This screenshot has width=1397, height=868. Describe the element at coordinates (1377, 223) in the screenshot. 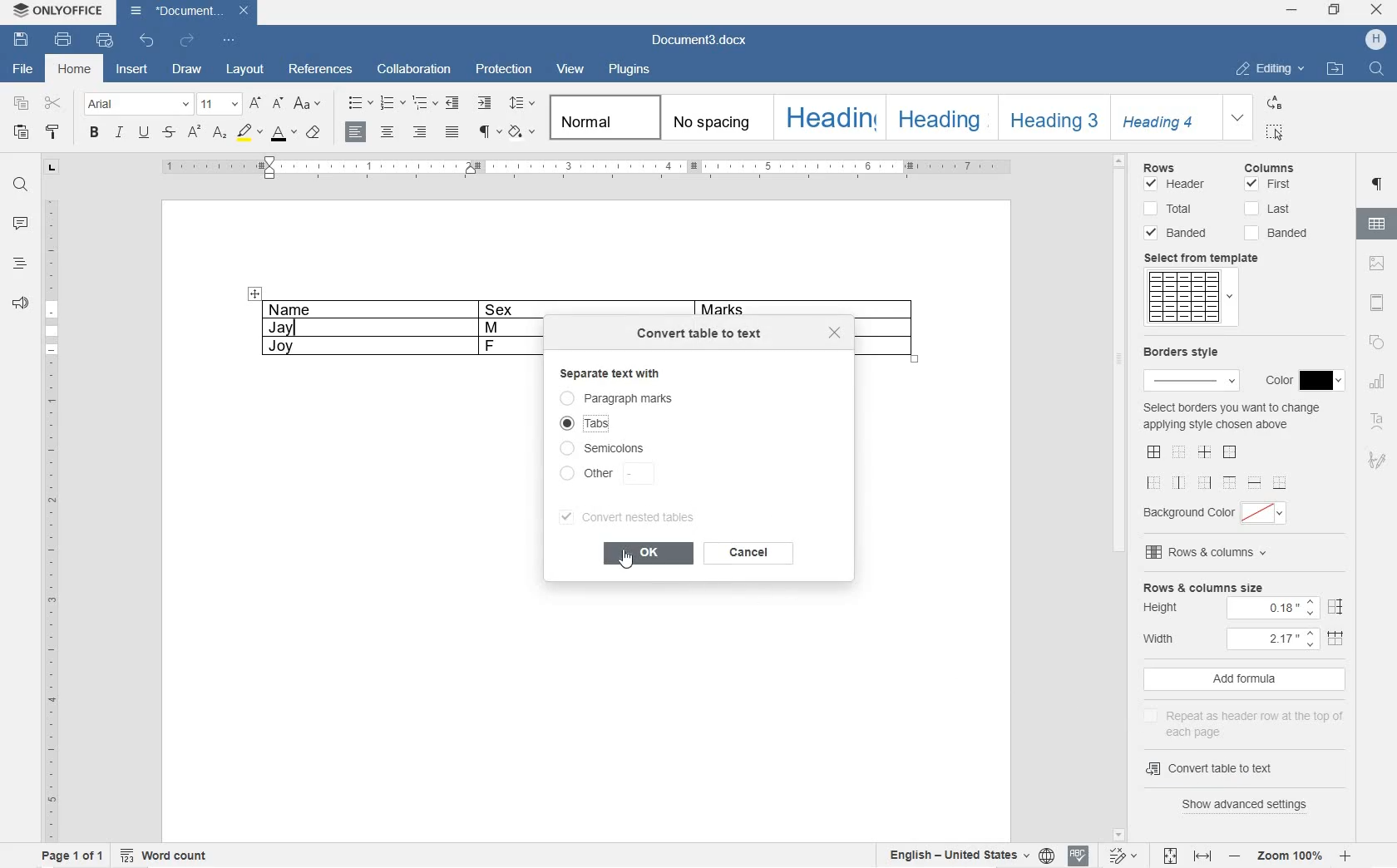

I see `TABLE SETTINGS` at that location.